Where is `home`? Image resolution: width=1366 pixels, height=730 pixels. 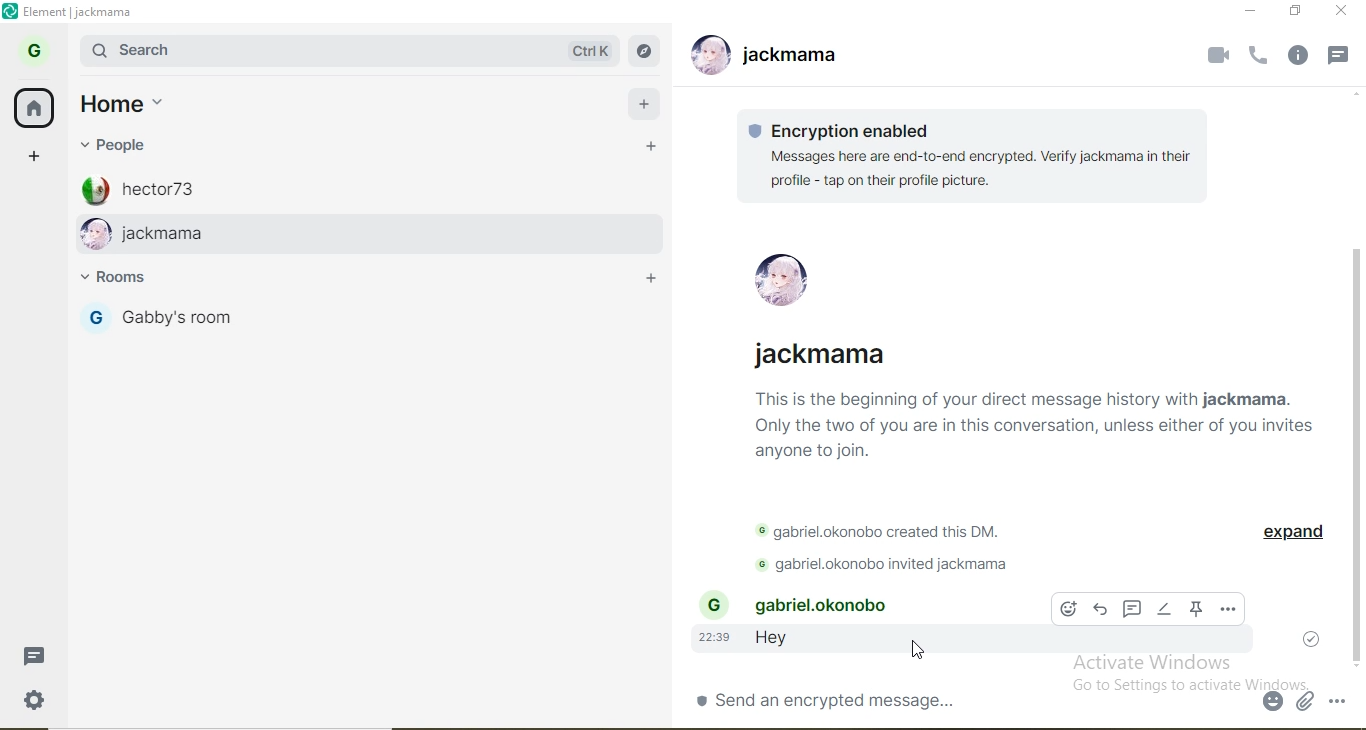
home is located at coordinates (121, 108).